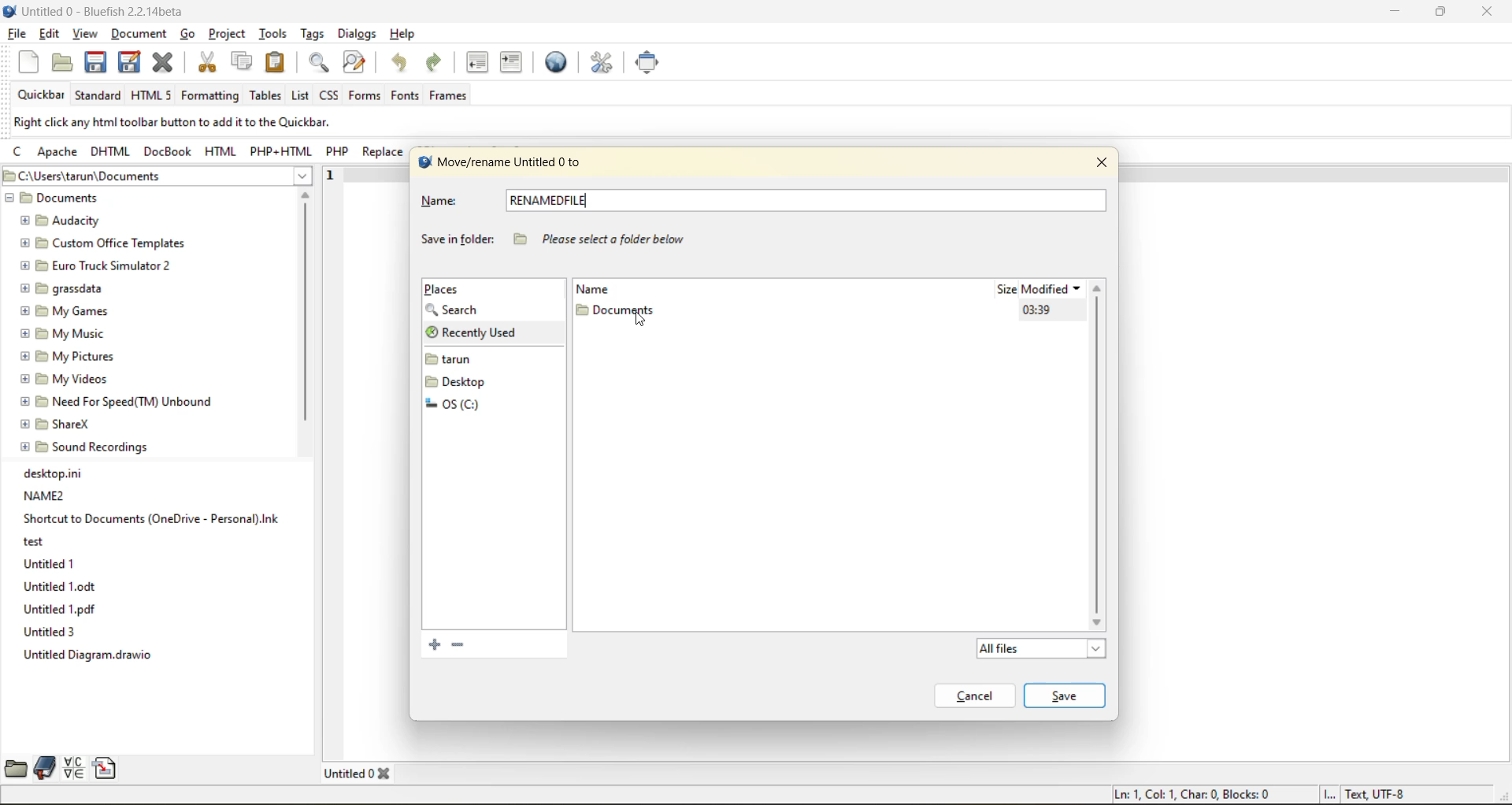  What do you see at coordinates (99, 267) in the screenshot?
I see `Euro Truck Simulator 2` at bounding box center [99, 267].